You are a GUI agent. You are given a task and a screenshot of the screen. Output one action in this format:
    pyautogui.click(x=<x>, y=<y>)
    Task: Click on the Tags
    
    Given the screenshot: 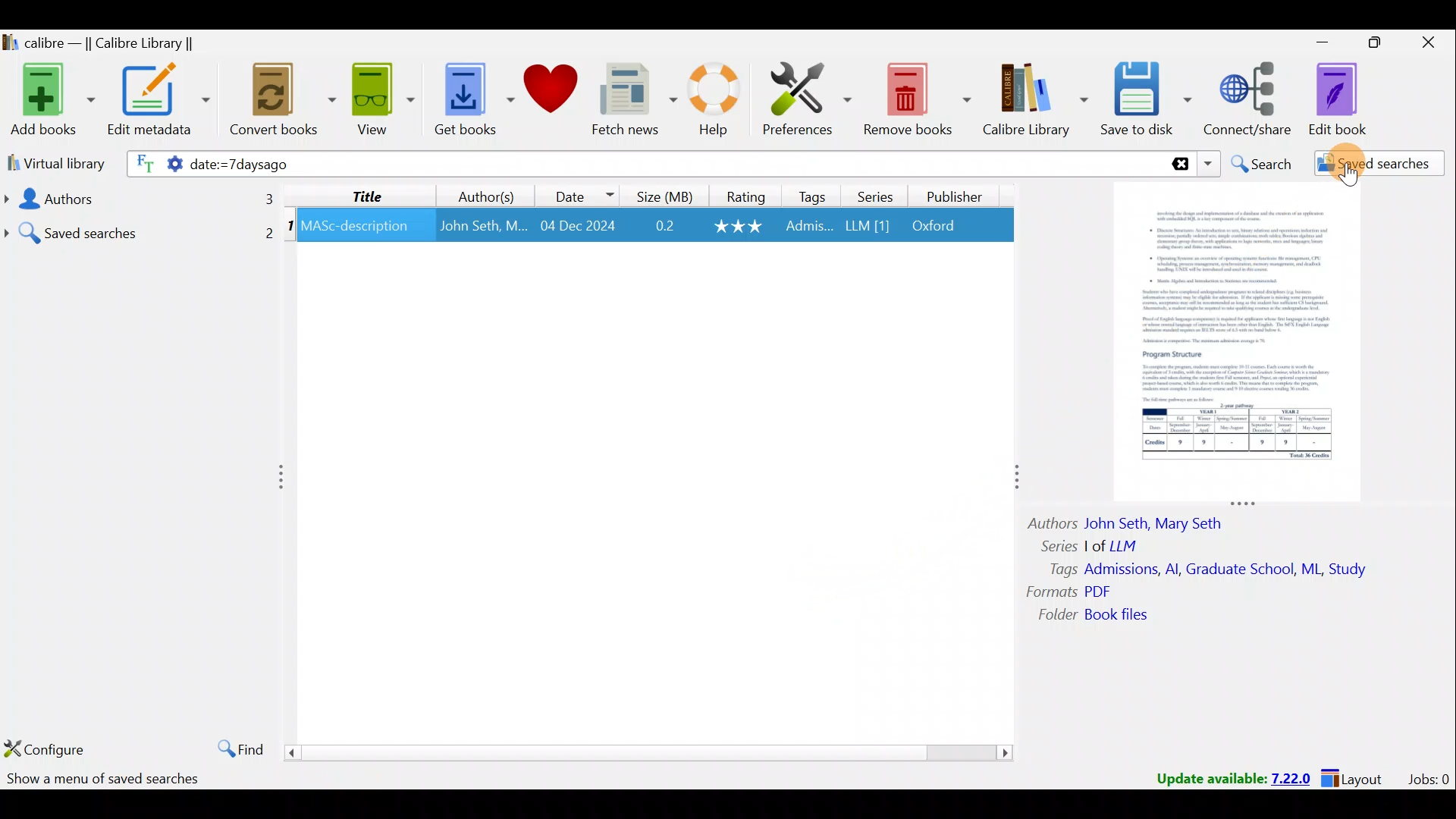 What is the action you would take?
    pyautogui.click(x=813, y=196)
    